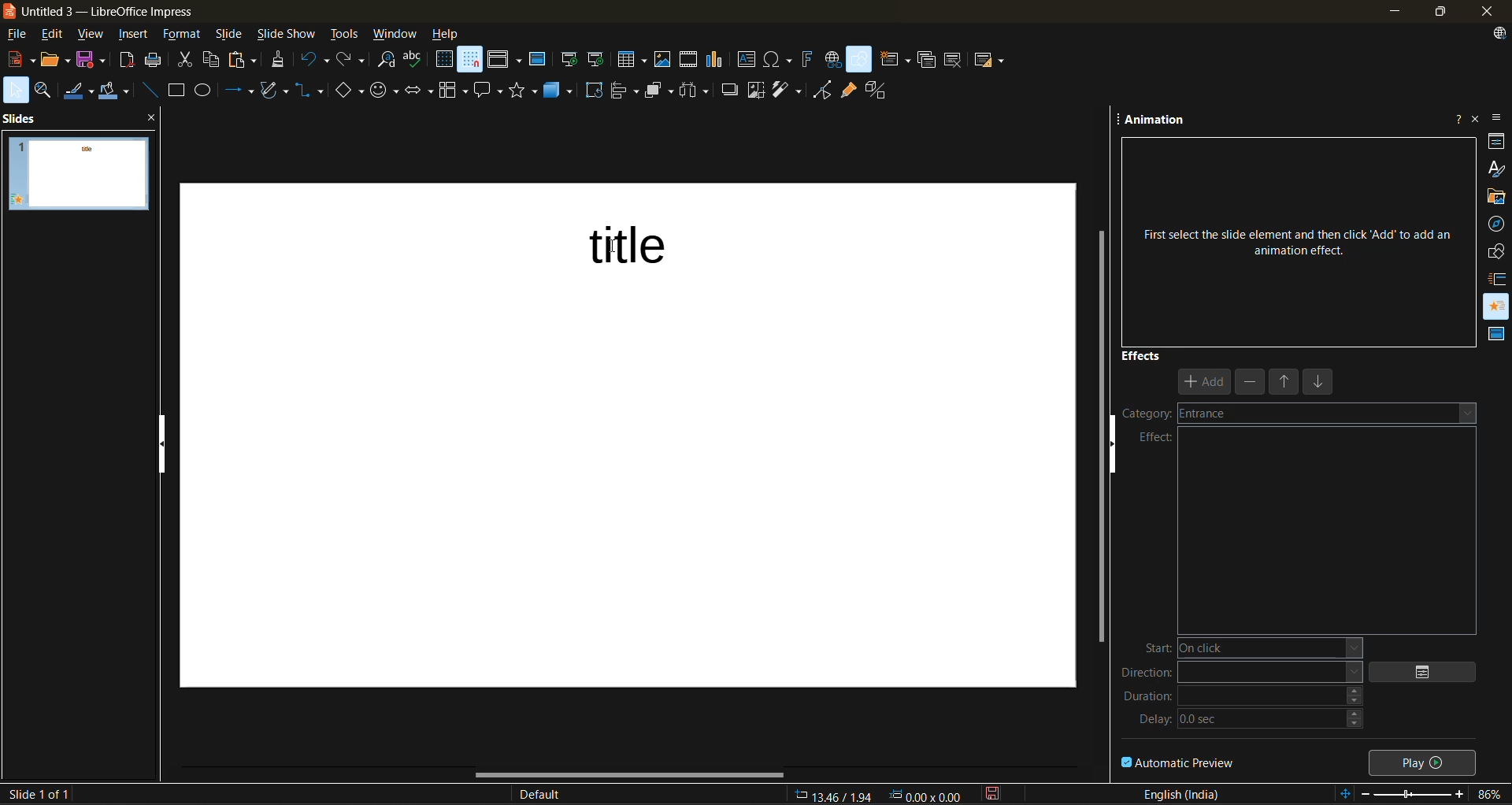 This screenshot has height=805, width=1512. Describe the element at coordinates (1425, 761) in the screenshot. I see `play` at that location.